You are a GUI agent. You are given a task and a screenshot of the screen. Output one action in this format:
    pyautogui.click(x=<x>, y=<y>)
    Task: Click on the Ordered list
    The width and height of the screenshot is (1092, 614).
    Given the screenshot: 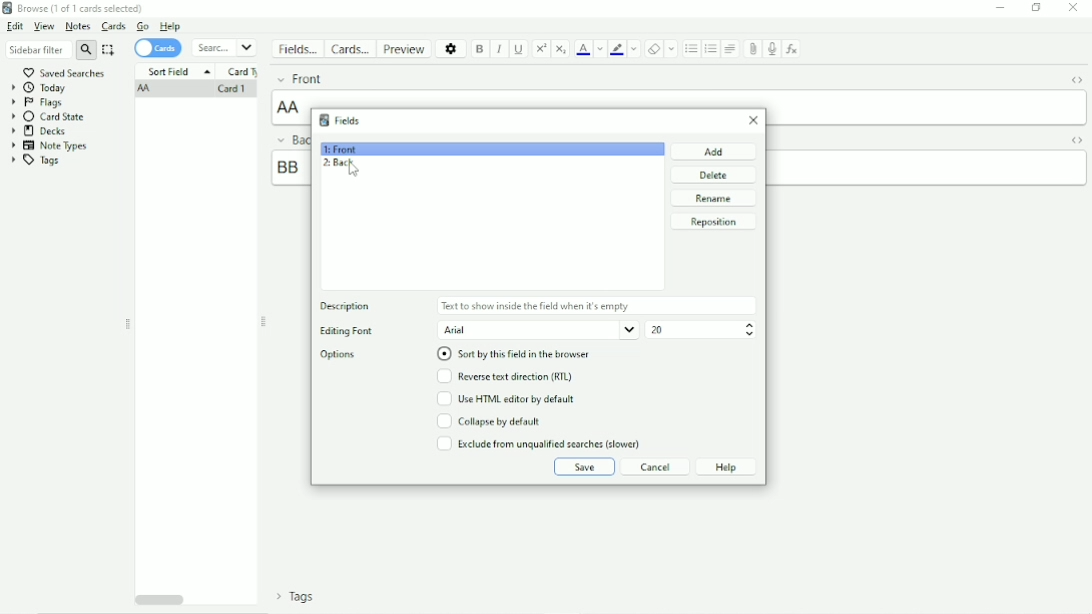 What is the action you would take?
    pyautogui.click(x=710, y=50)
    